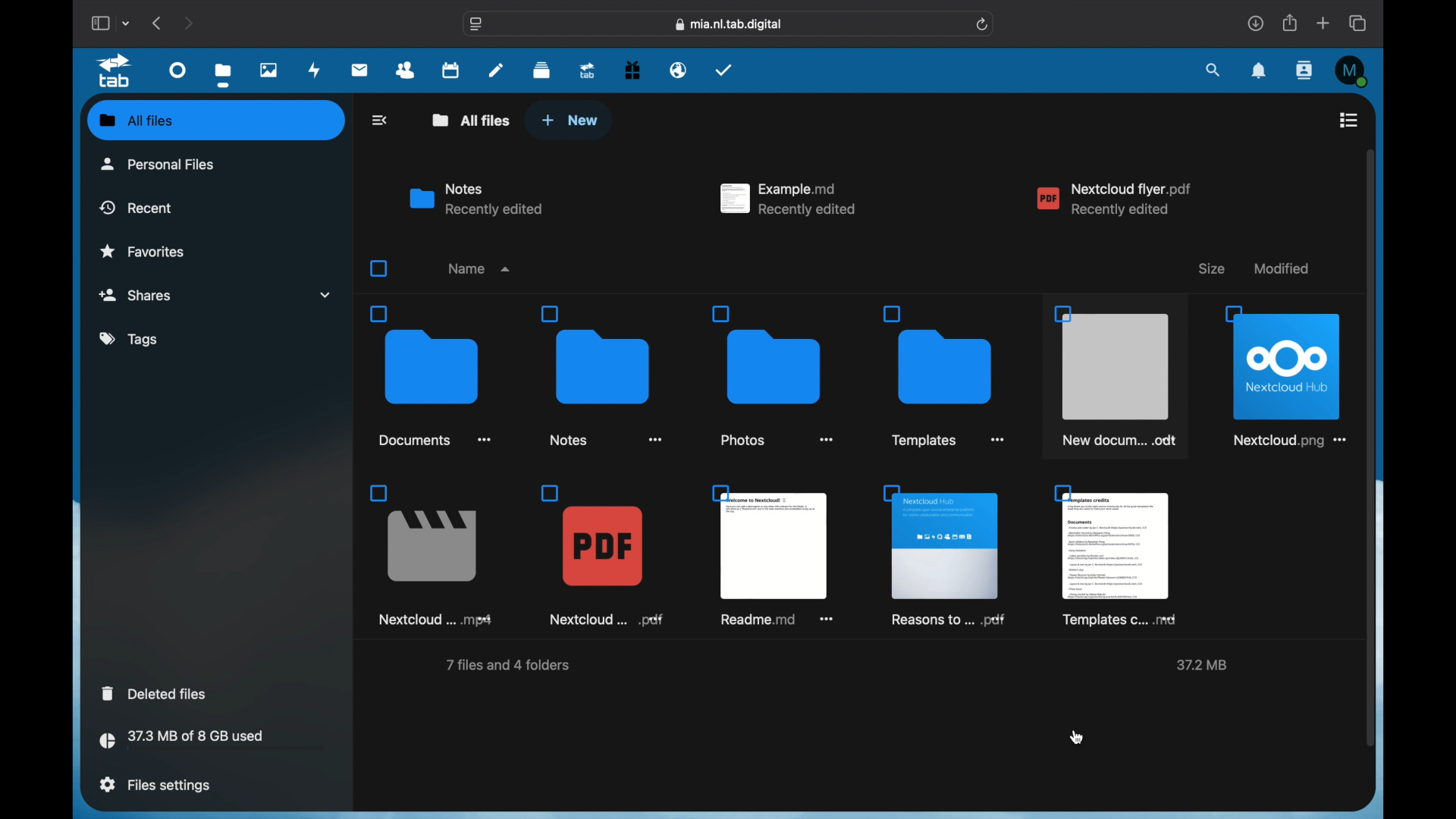 Image resolution: width=1456 pixels, height=819 pixels. Describe the element at coordinates (381, 268) in the screenshot. I see `checkbox` at that location.